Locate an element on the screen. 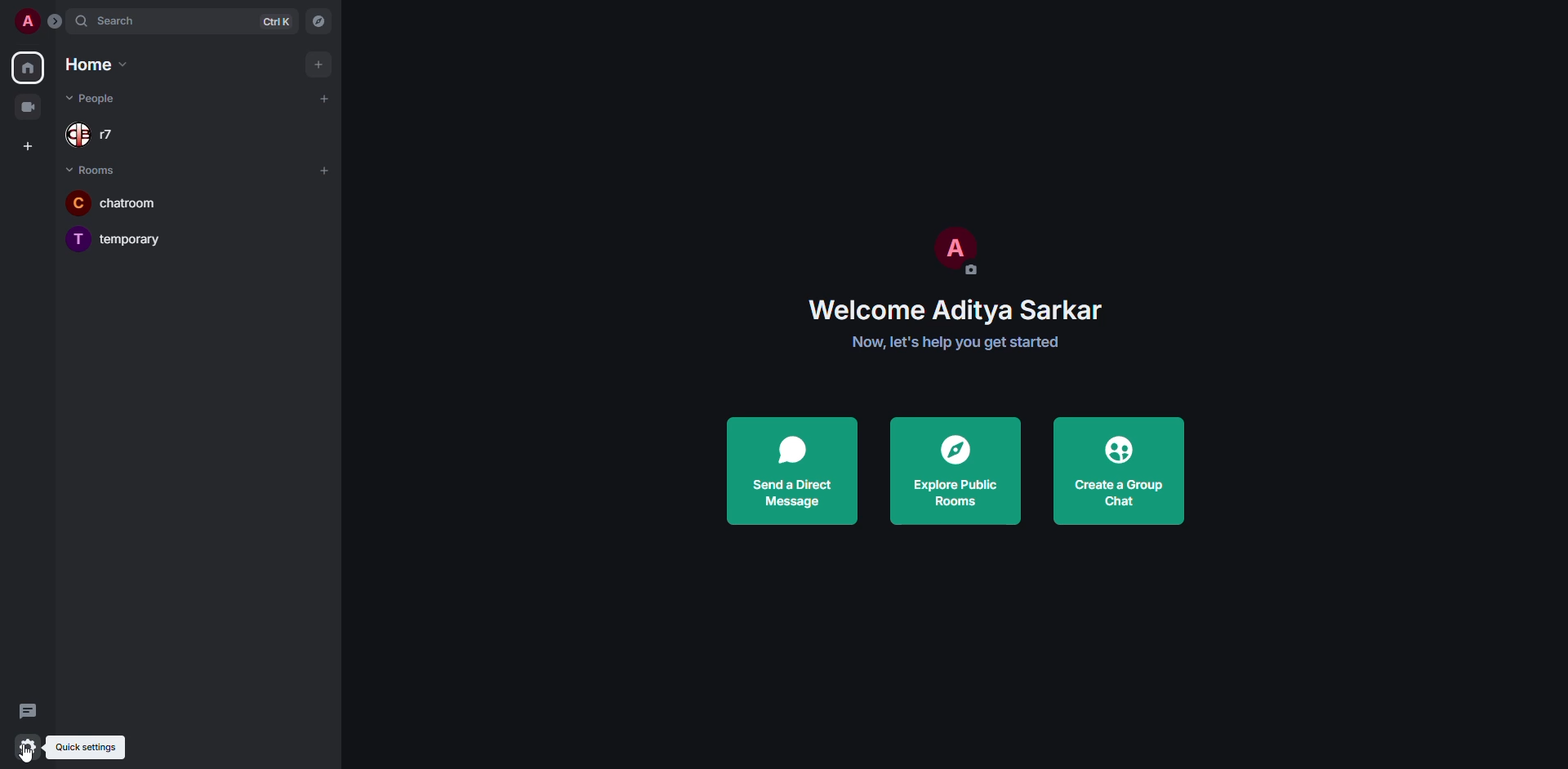  video room is located at coordinates (29, 106).